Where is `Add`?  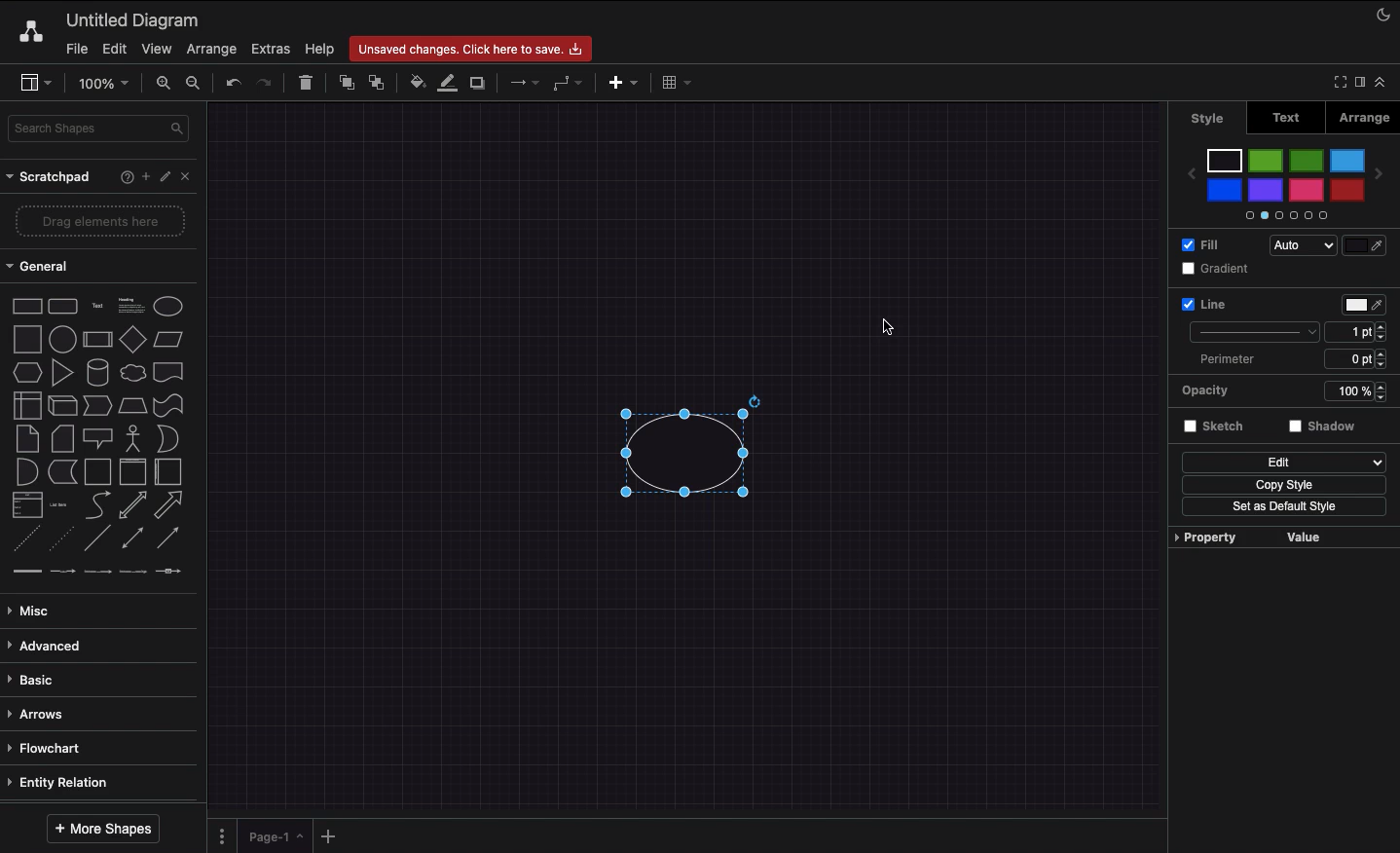 Add is located at coordinates (145, 175).